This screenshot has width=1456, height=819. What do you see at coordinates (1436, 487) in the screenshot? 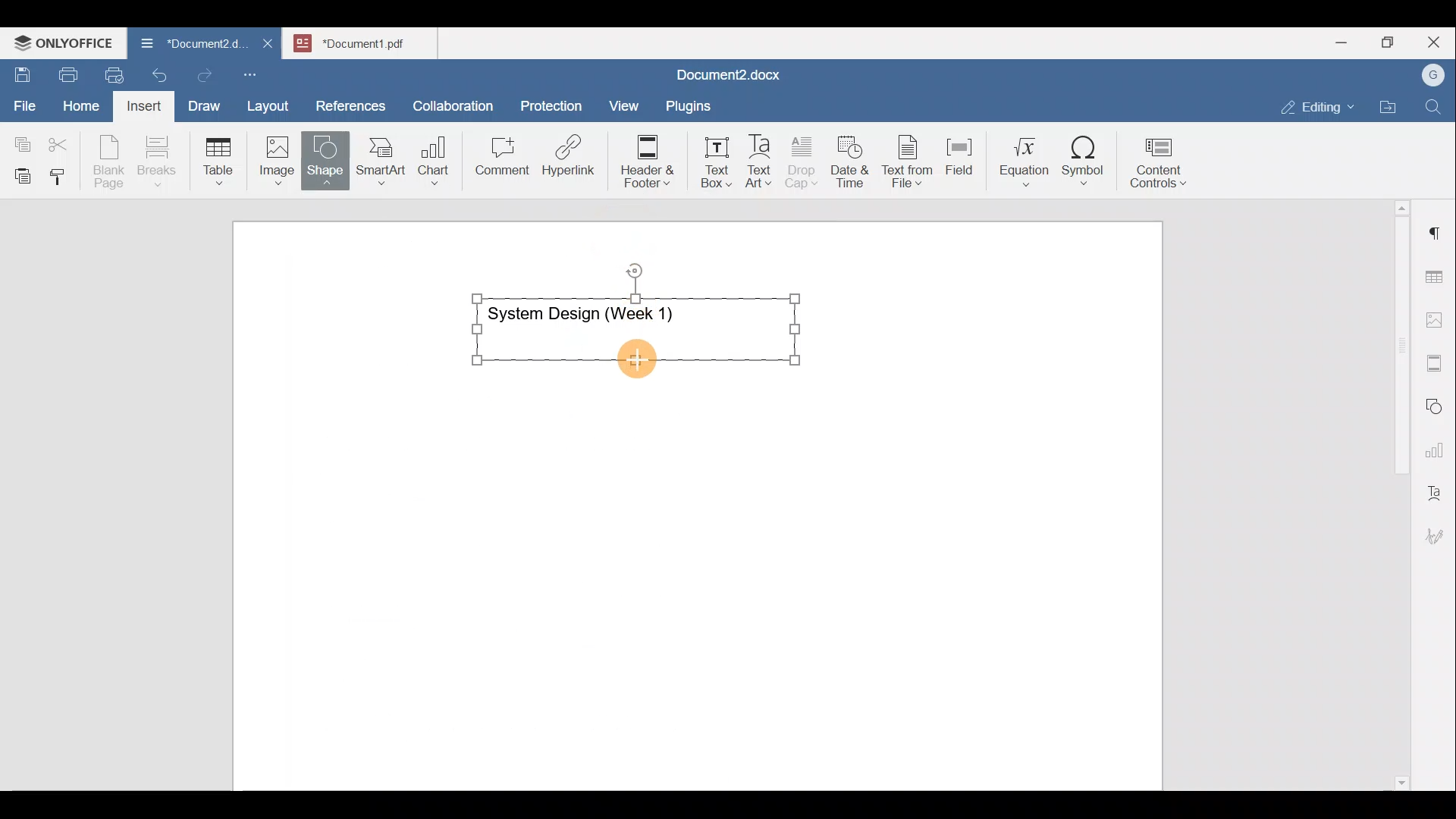
I see `Text Art settings` at bounding box center [1436, 487].